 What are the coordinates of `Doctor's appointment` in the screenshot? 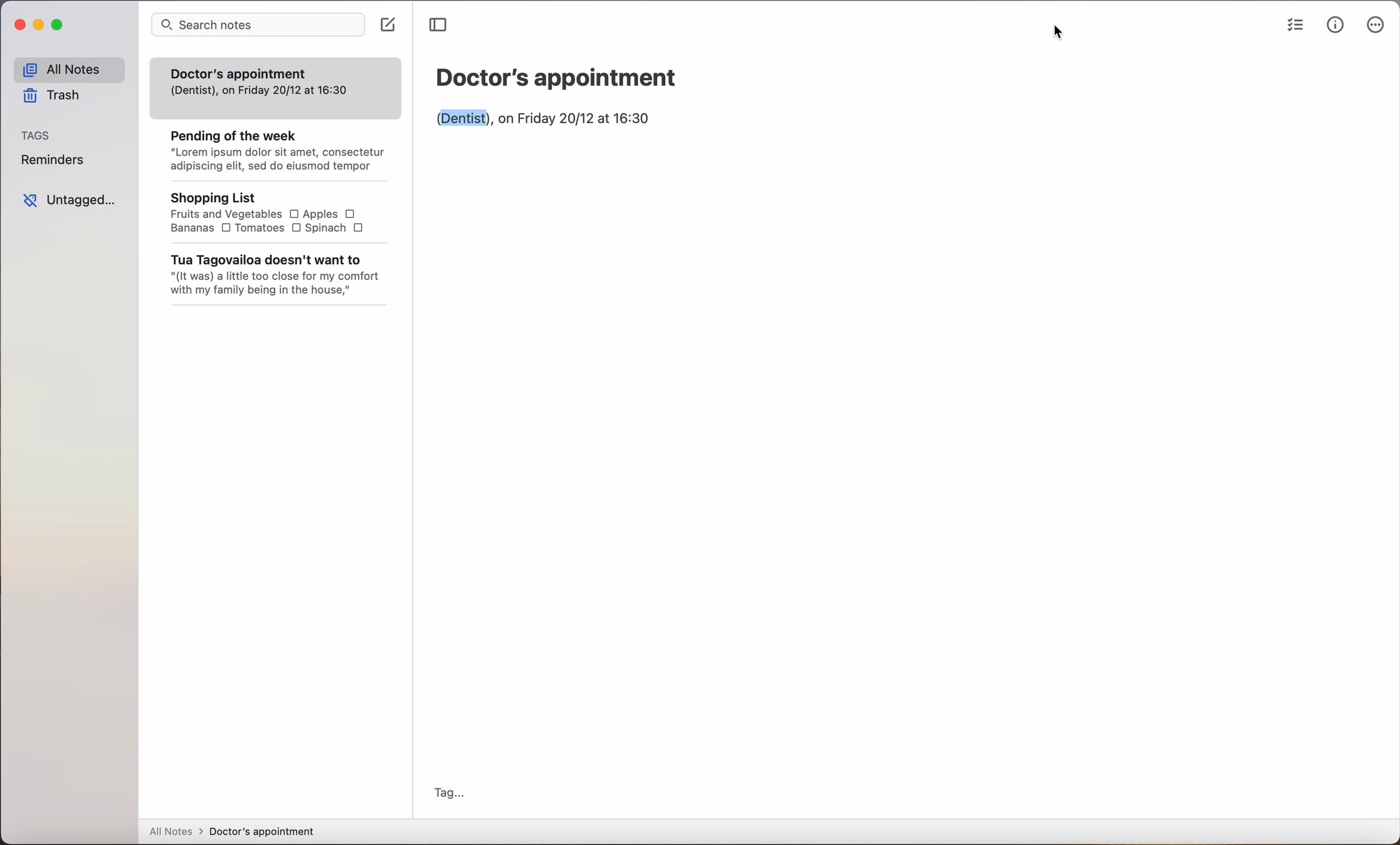 It's located at (556, 77).